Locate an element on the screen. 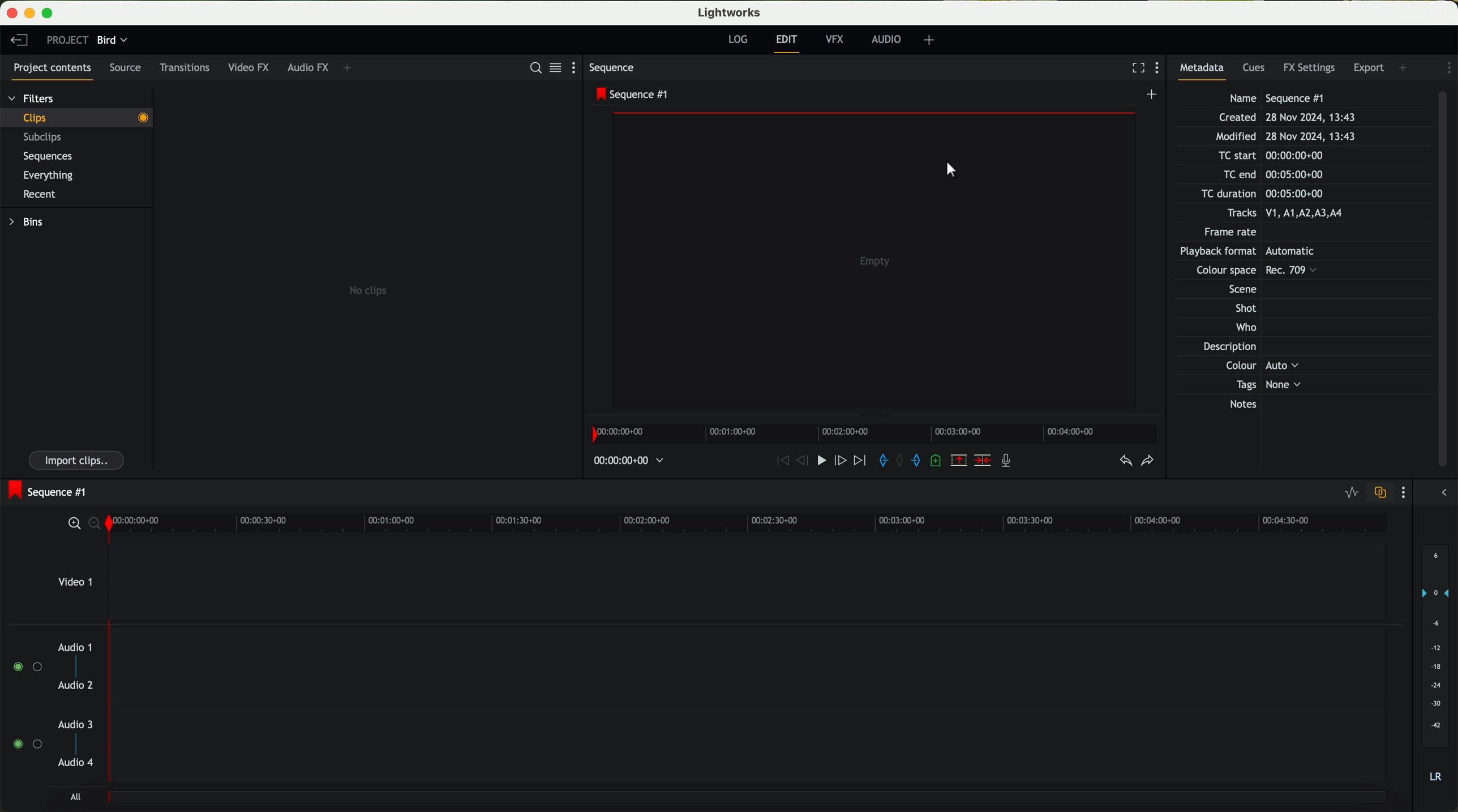 This screenshot has height=812, width=1458. Who is located at coordinates (1281, 326).